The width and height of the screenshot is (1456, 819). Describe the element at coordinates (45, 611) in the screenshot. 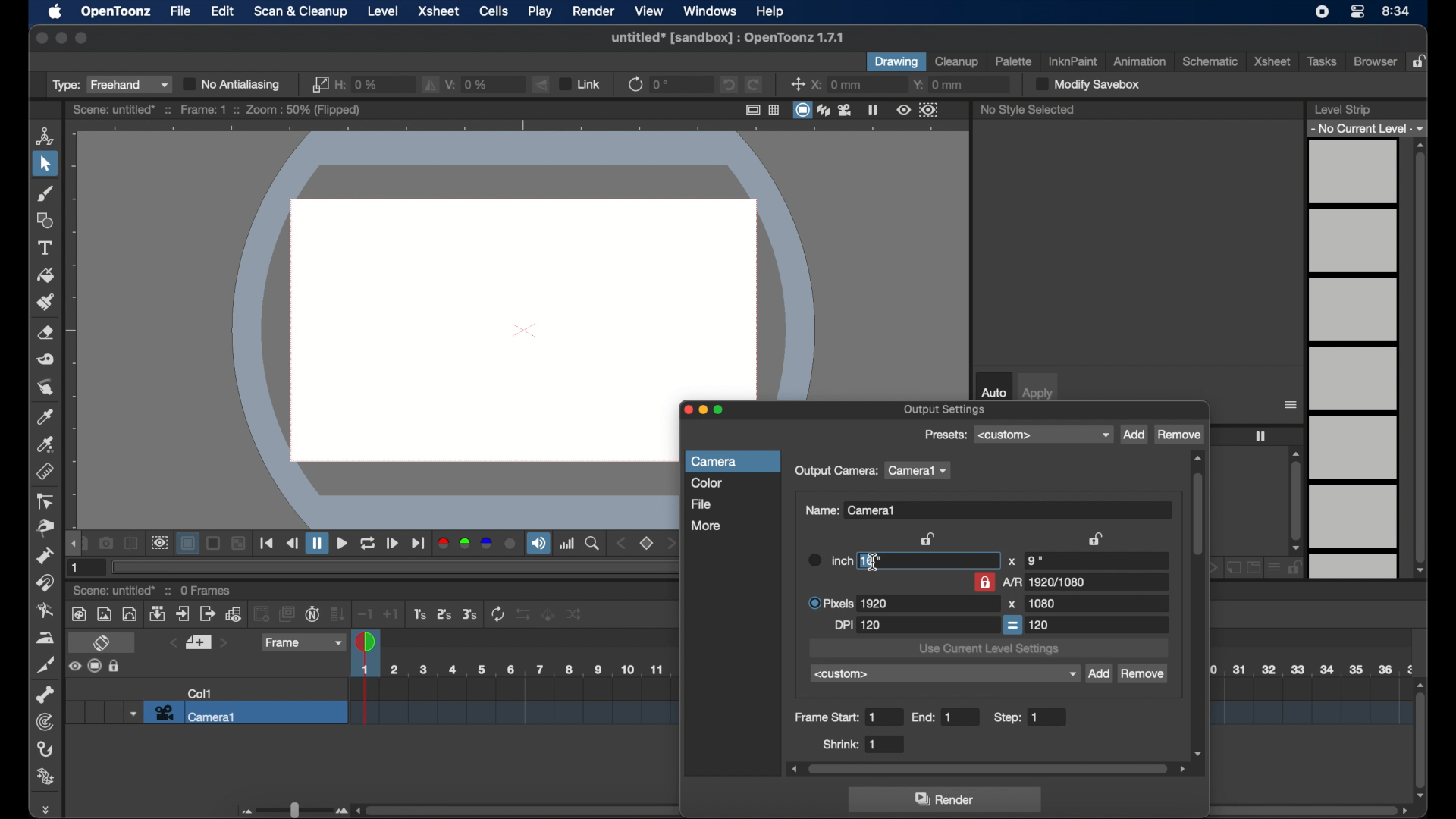

I see `blender tool` at that location.